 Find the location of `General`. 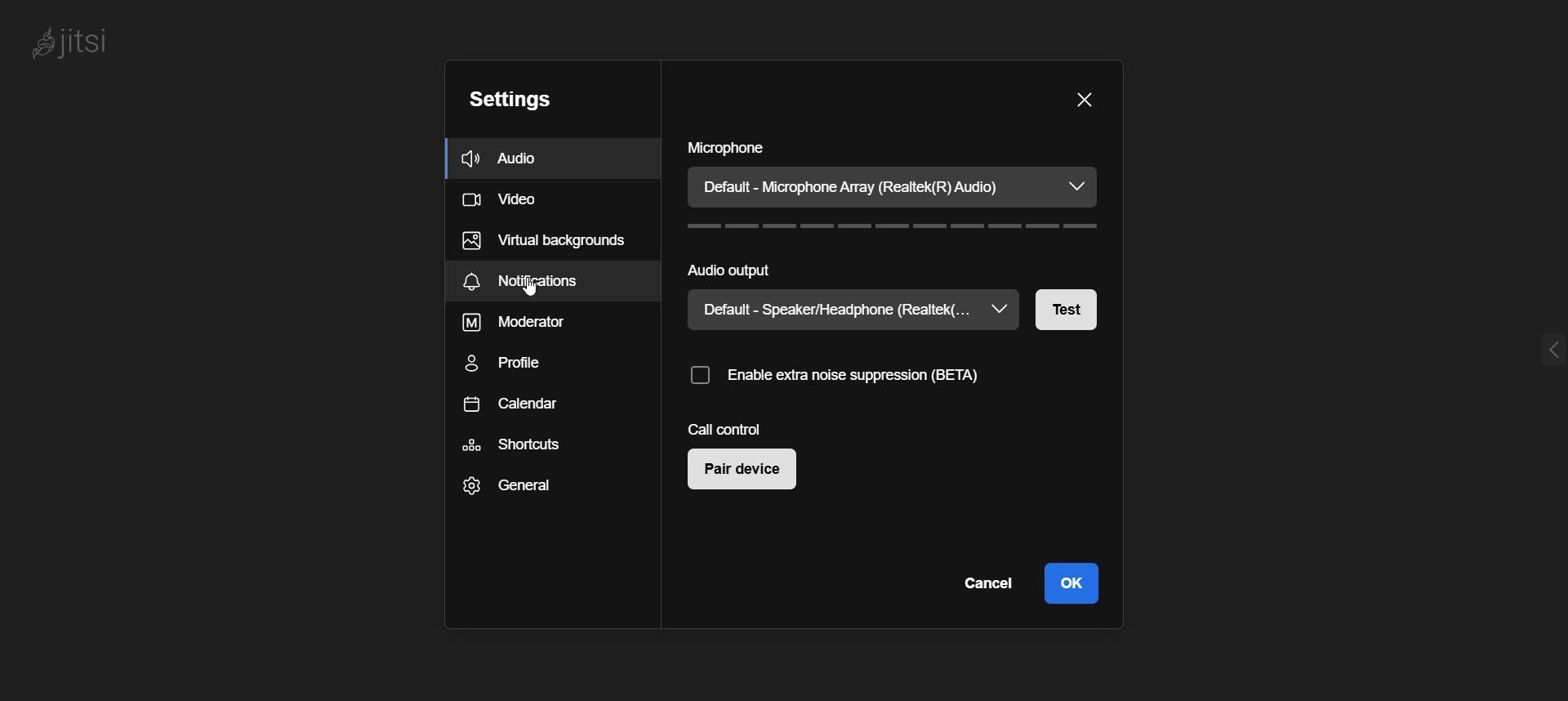

General is located at coordinates (511, 484).